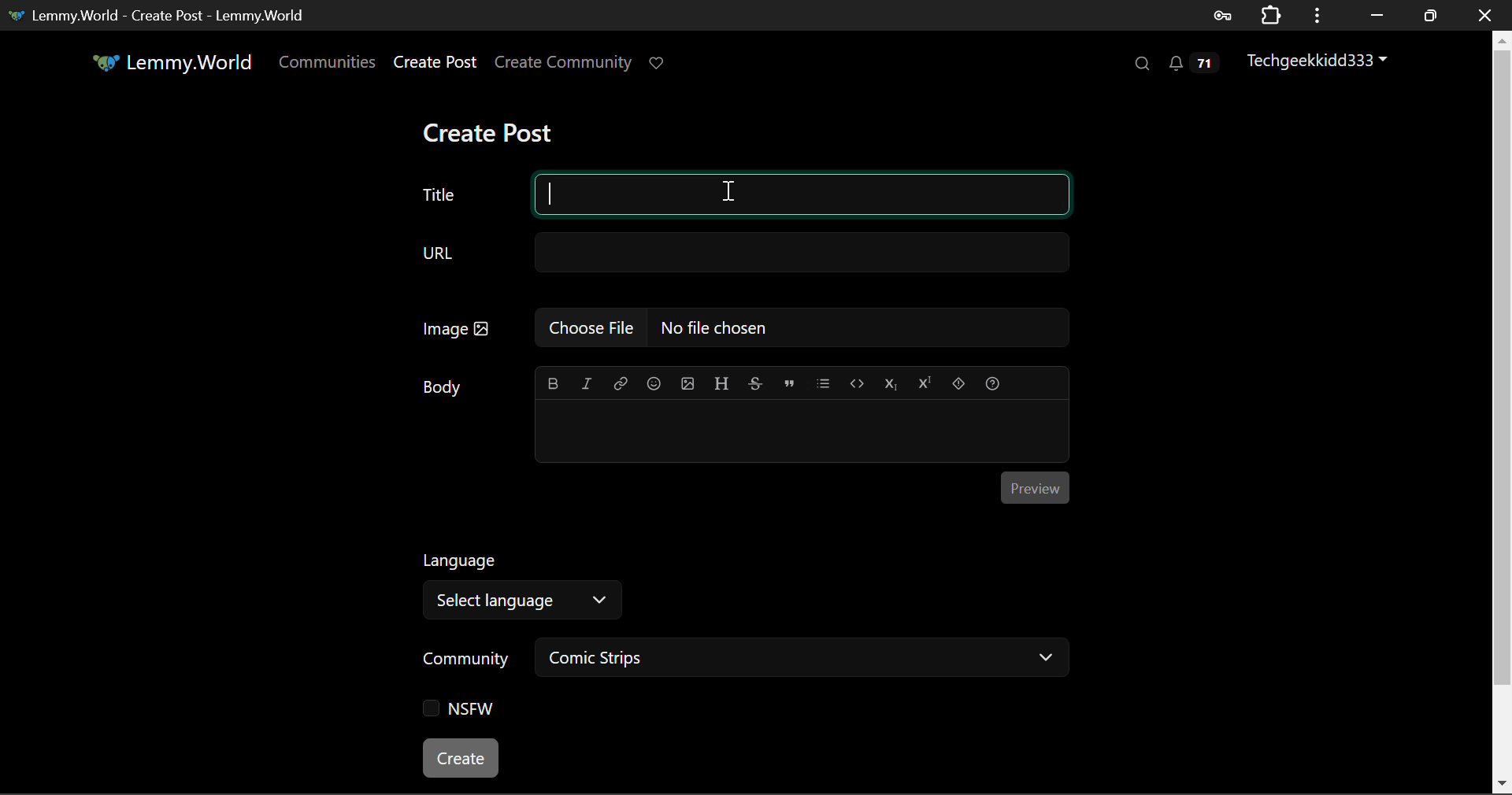 This screenshot has width=1512, height=795. What do you see at coordinates (1314, 62) in the screenshot?
I see `Techgeekkidd333` at bounding box center [1314, 62].